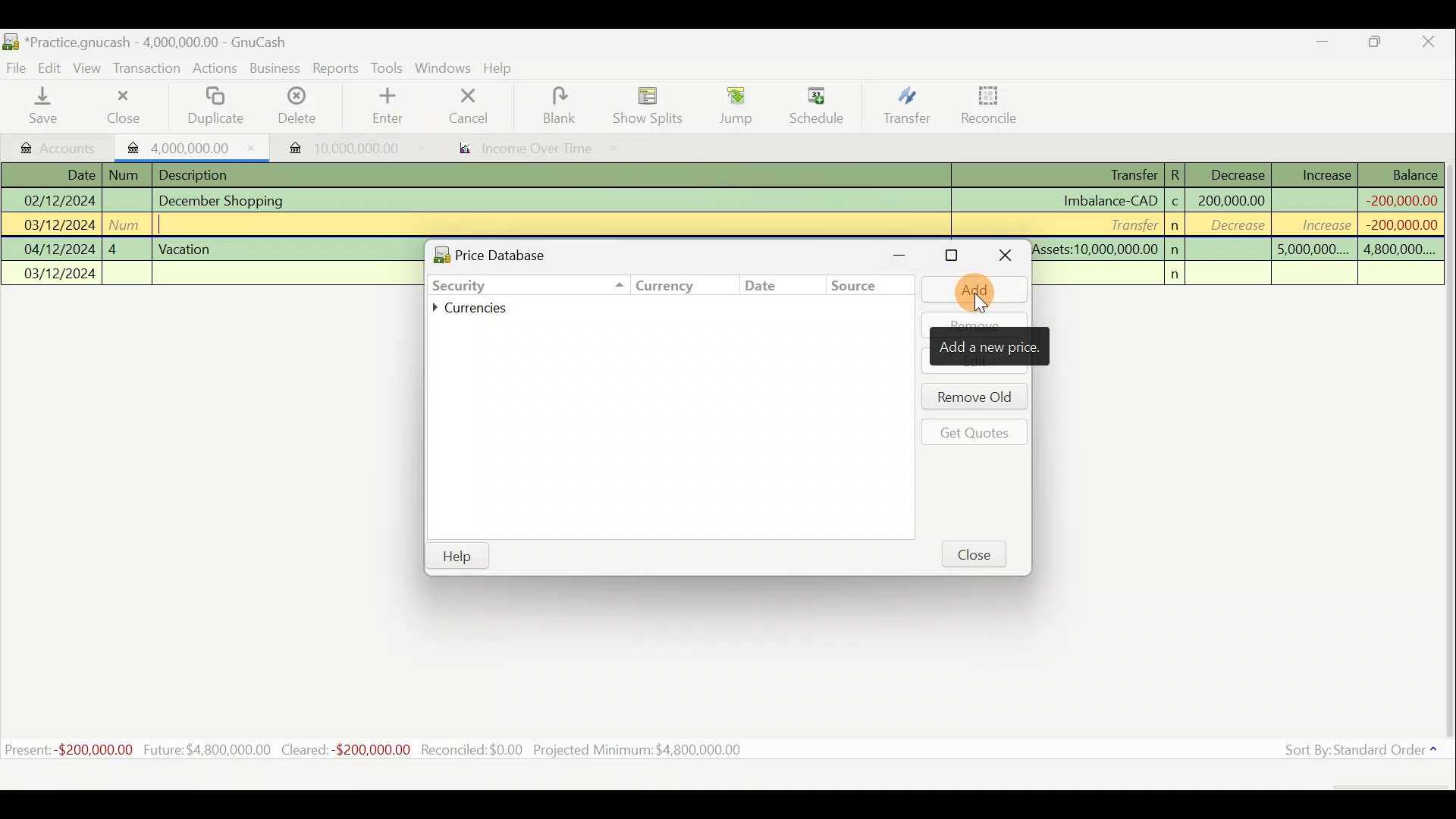 This screenshot has width=1456, height=819. I want to click on Decrease, so click(1237, 174).